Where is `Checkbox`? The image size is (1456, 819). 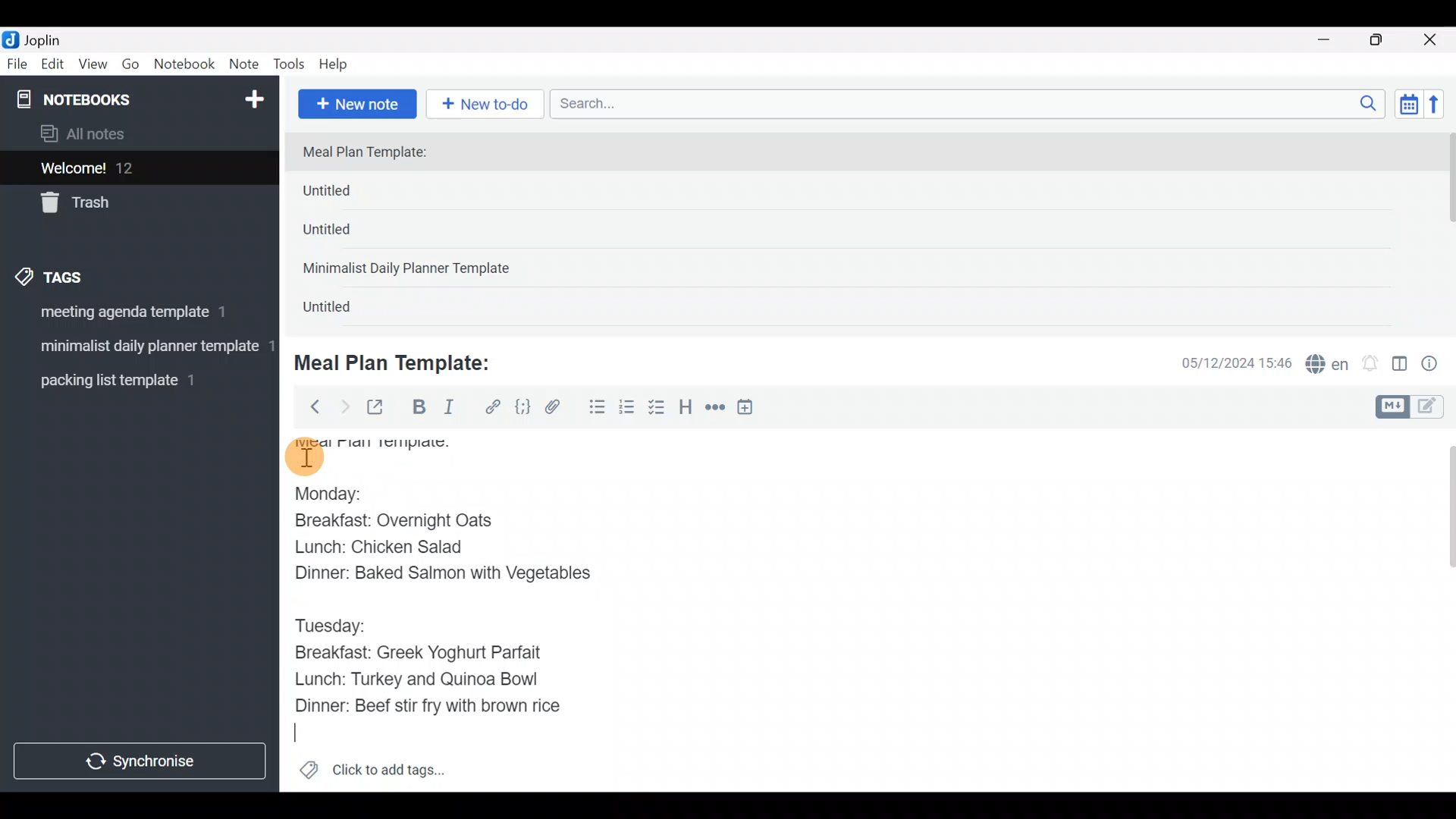
Checkbox is located at coordinates (658, 409).